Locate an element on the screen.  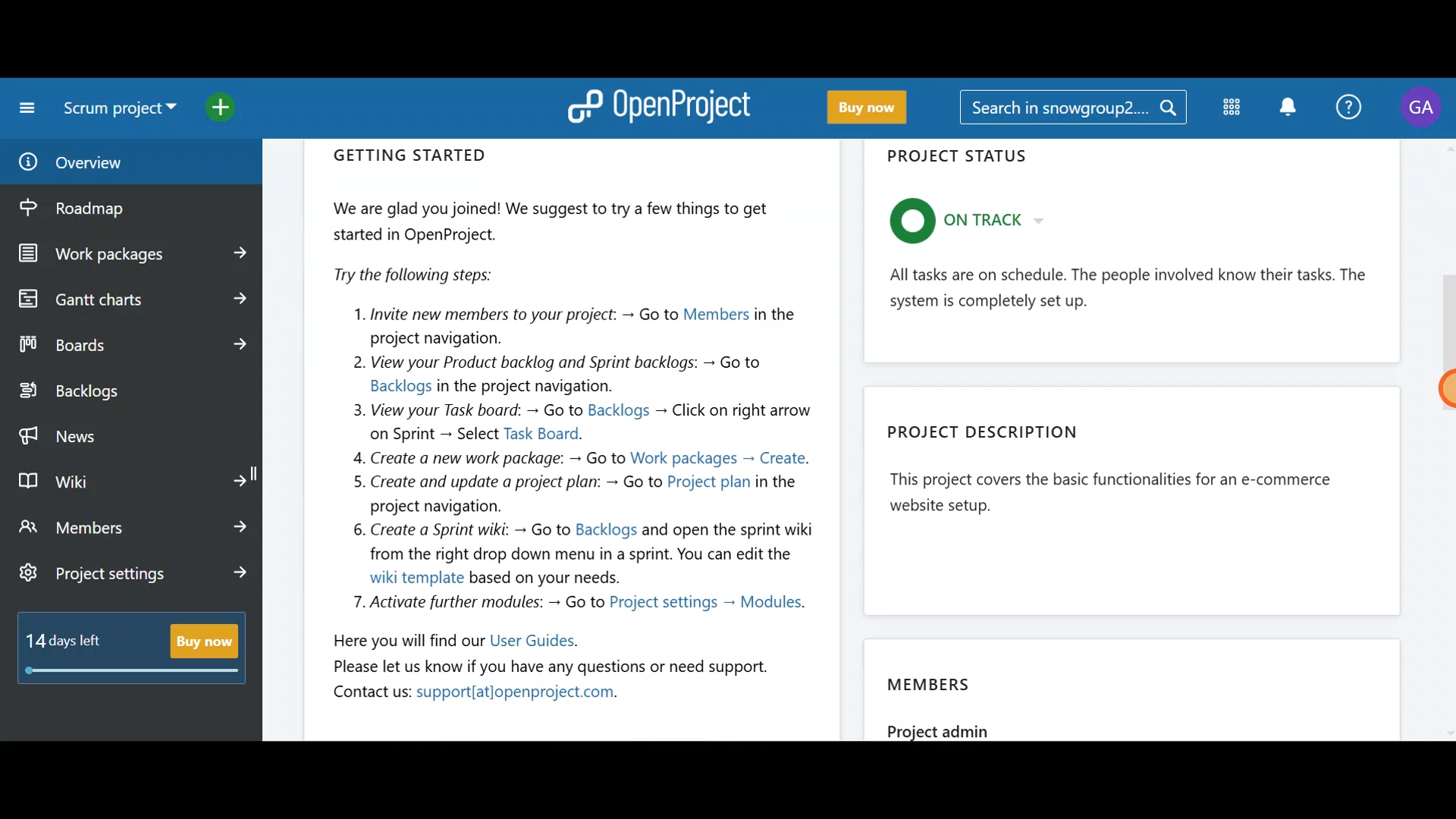
Select a project is located at coordinates (123, 114).